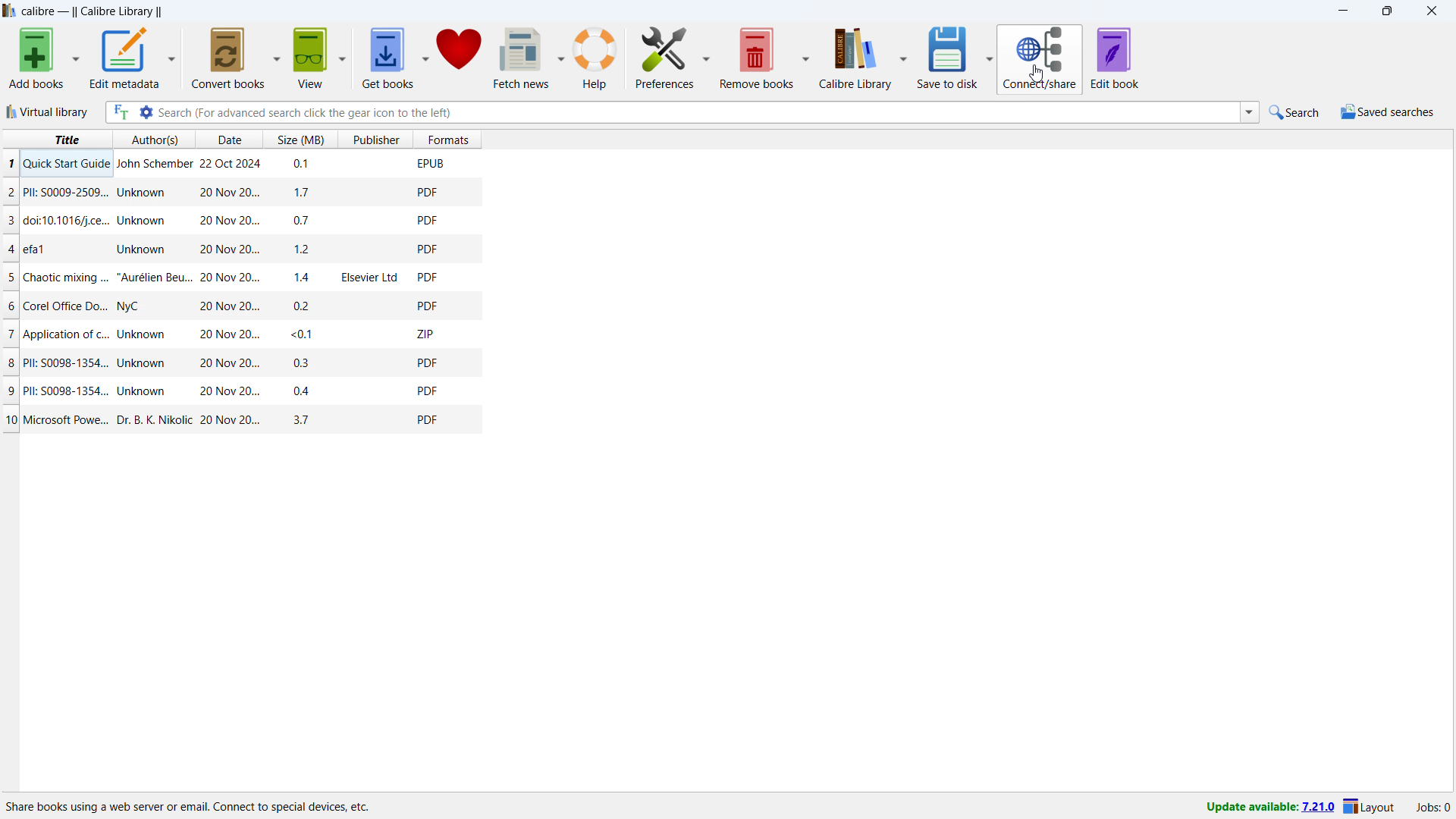 The image size is (1456, 819). What do you see at coordinates (1342, 11) in the screenshot?
I see `minimize` at bounding box center [1342, 11].